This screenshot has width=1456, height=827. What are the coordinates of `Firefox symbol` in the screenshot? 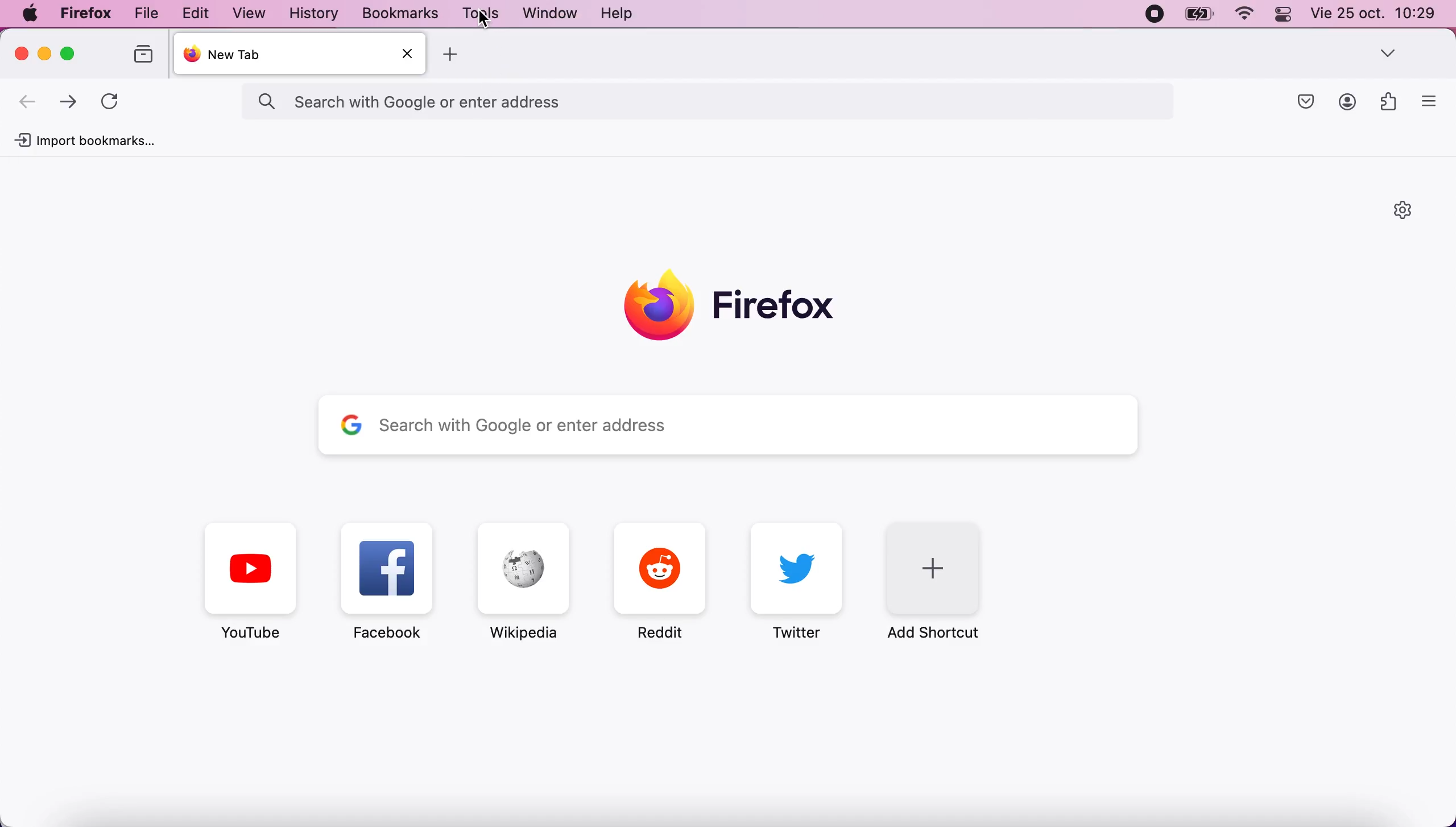 It's located at (732, 308).